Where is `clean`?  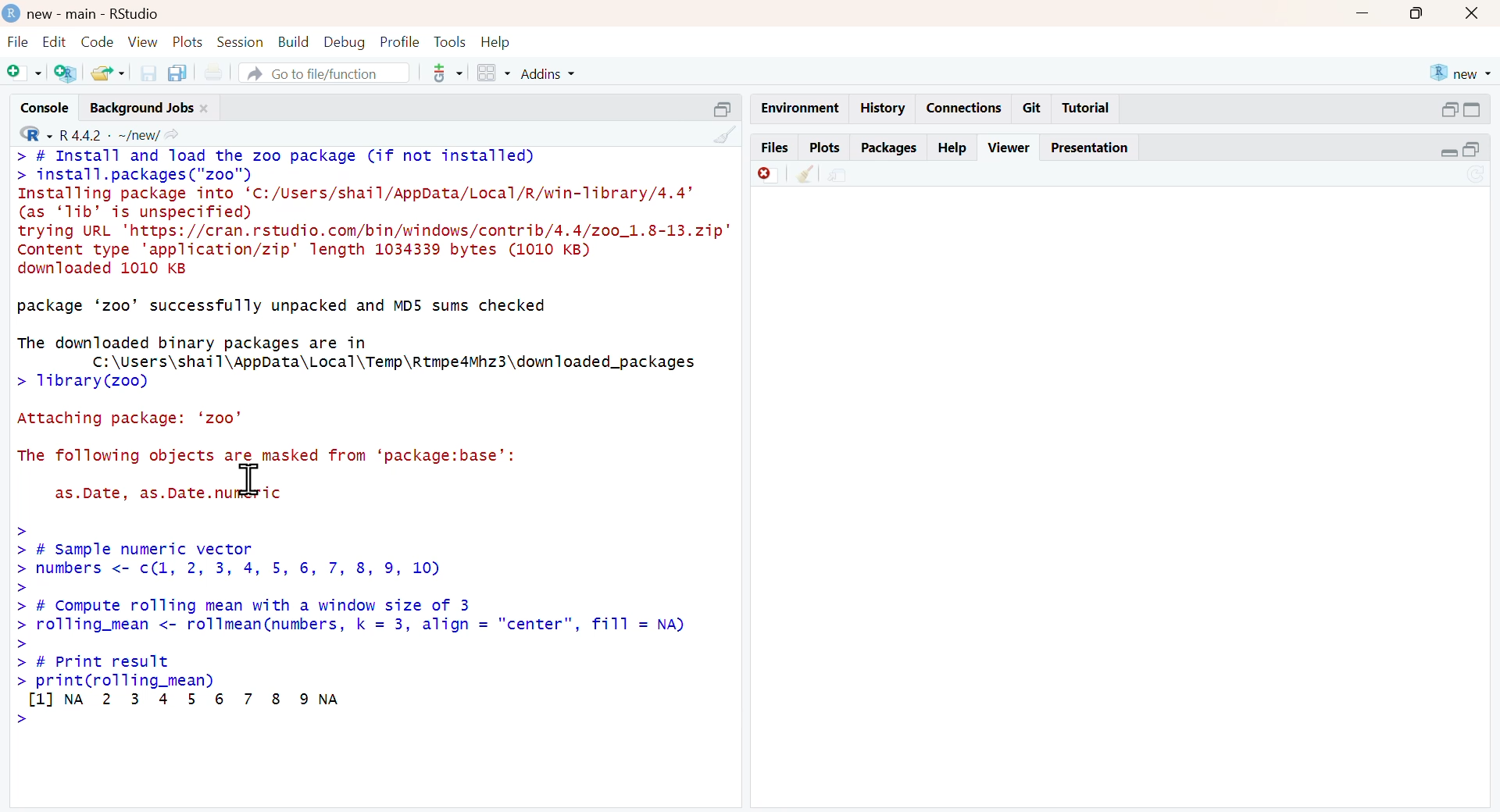 clean is located at coordinates (726, 134).